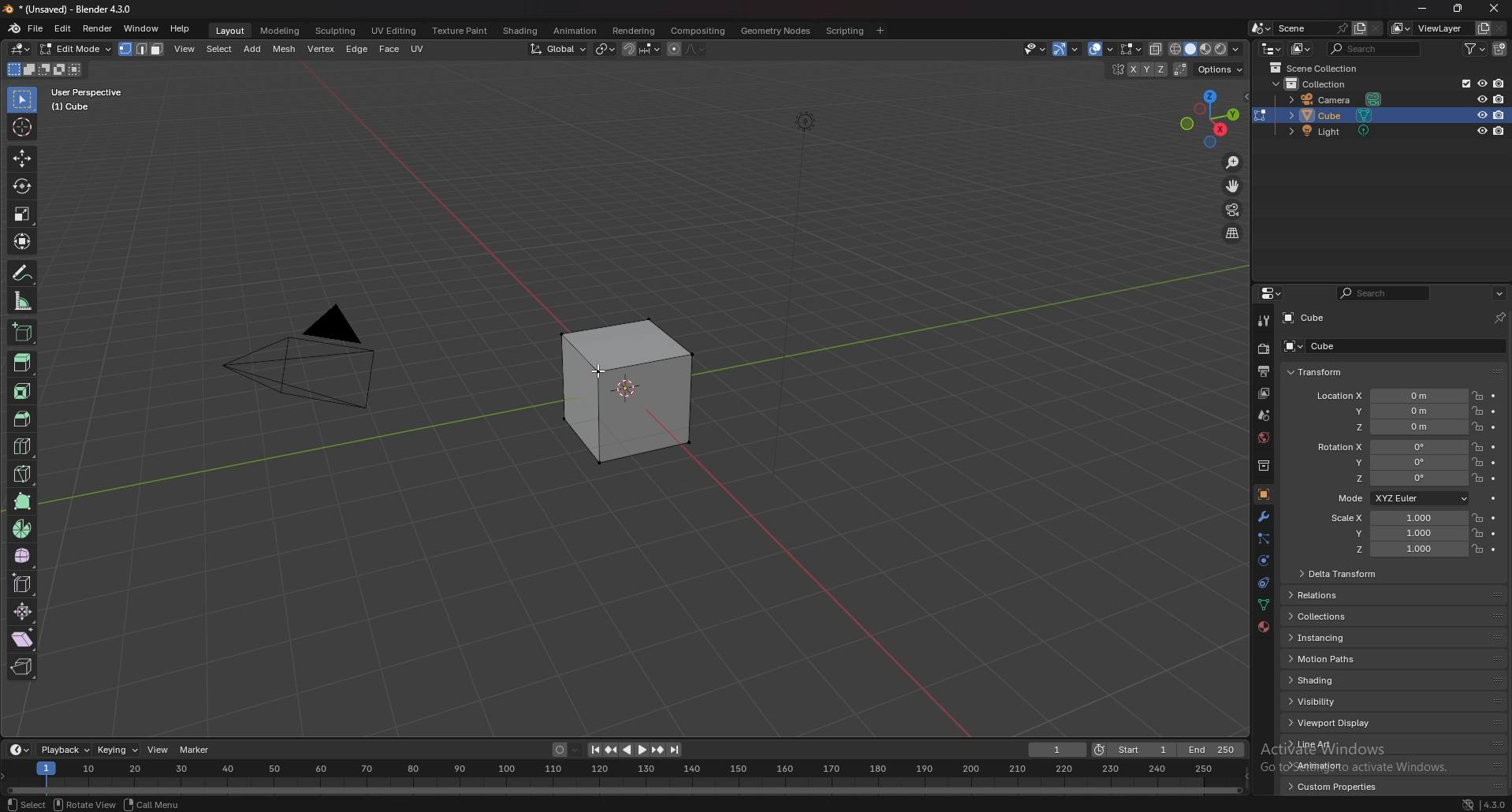 This screenshot has height=812, width=1512. Describe the element at coordinates (1272, 293) in the screenshot. I see `editor` at that location.